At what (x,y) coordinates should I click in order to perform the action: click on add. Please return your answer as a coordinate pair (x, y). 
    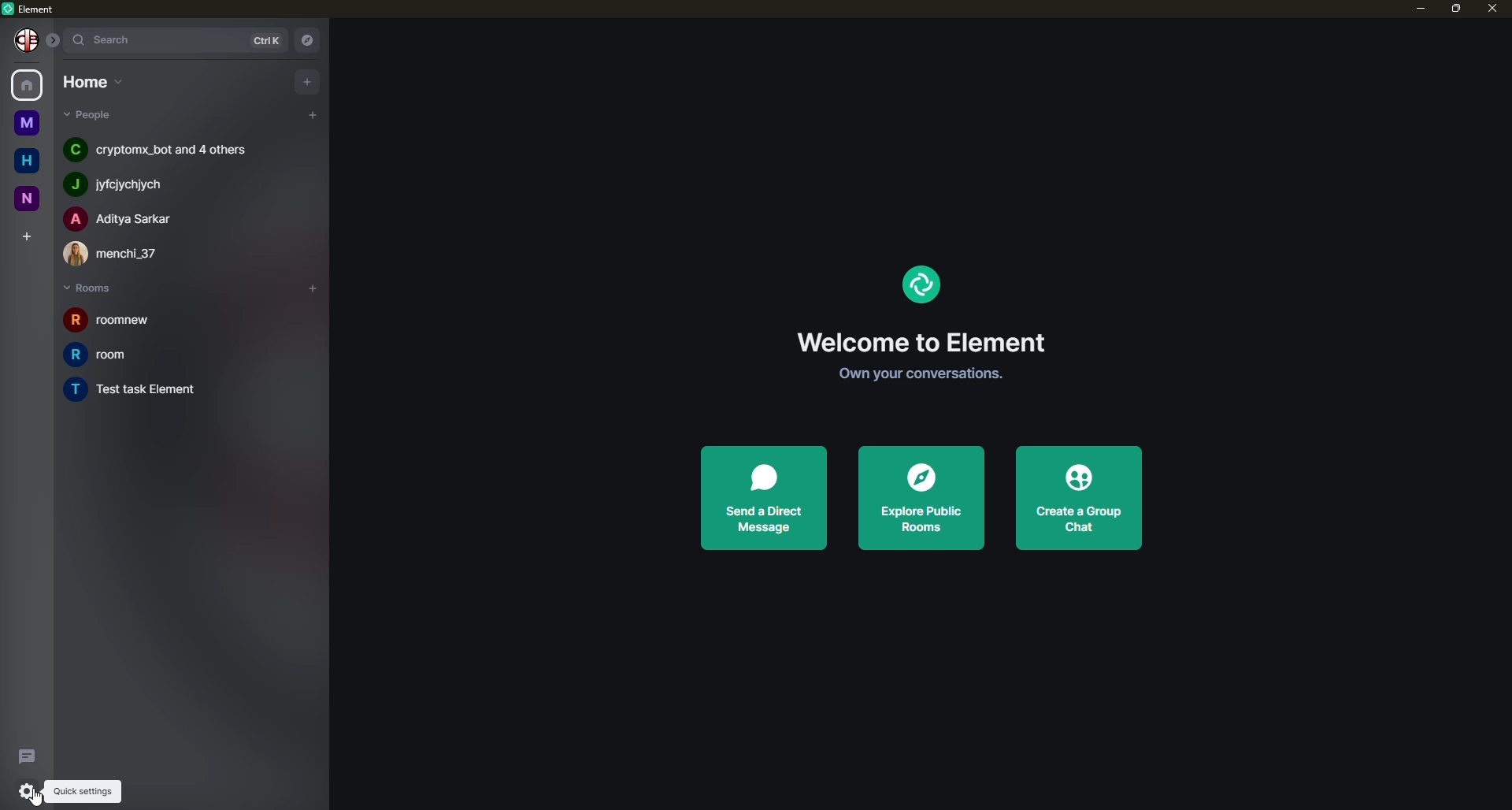
    Looking at the image, I should click on (308, 80).